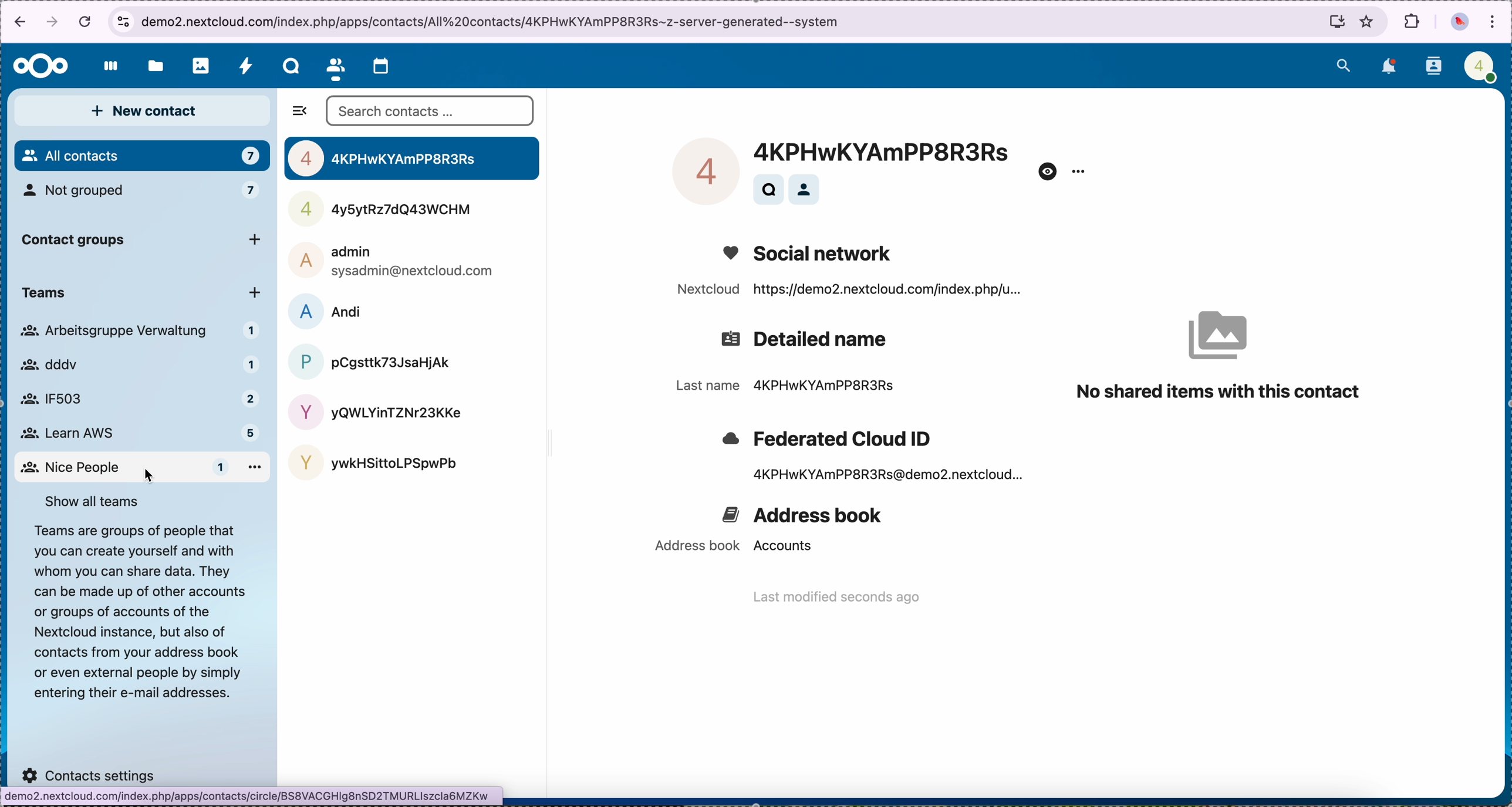 The height and width of the screenshot is (807, 1512). Describe the element at coordinates (369, 361) in the screenshot. I see `user` at that location.